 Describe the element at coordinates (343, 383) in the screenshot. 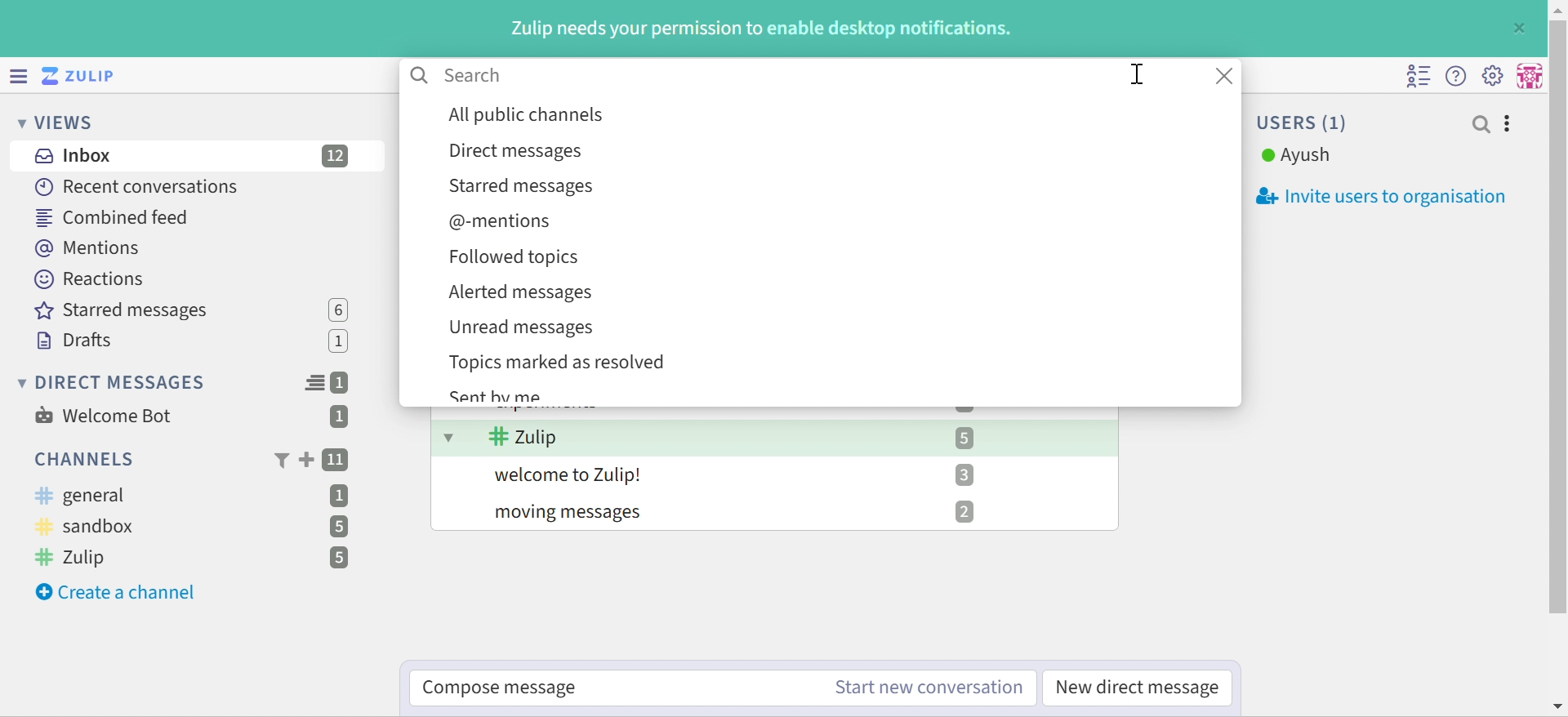

I see `1` at that location.